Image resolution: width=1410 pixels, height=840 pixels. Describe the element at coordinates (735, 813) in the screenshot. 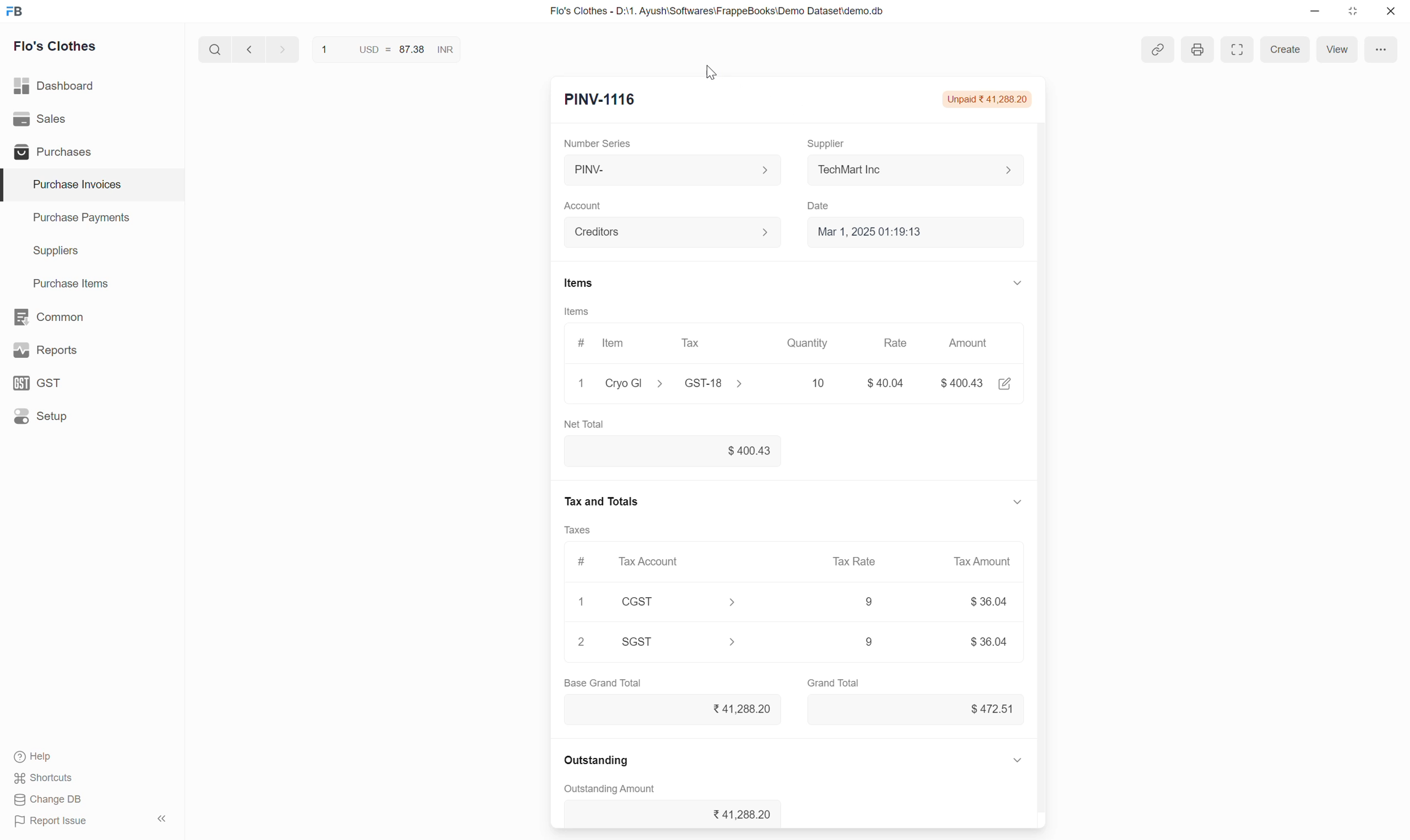

I see `Rs. 41,288.20` at that location.